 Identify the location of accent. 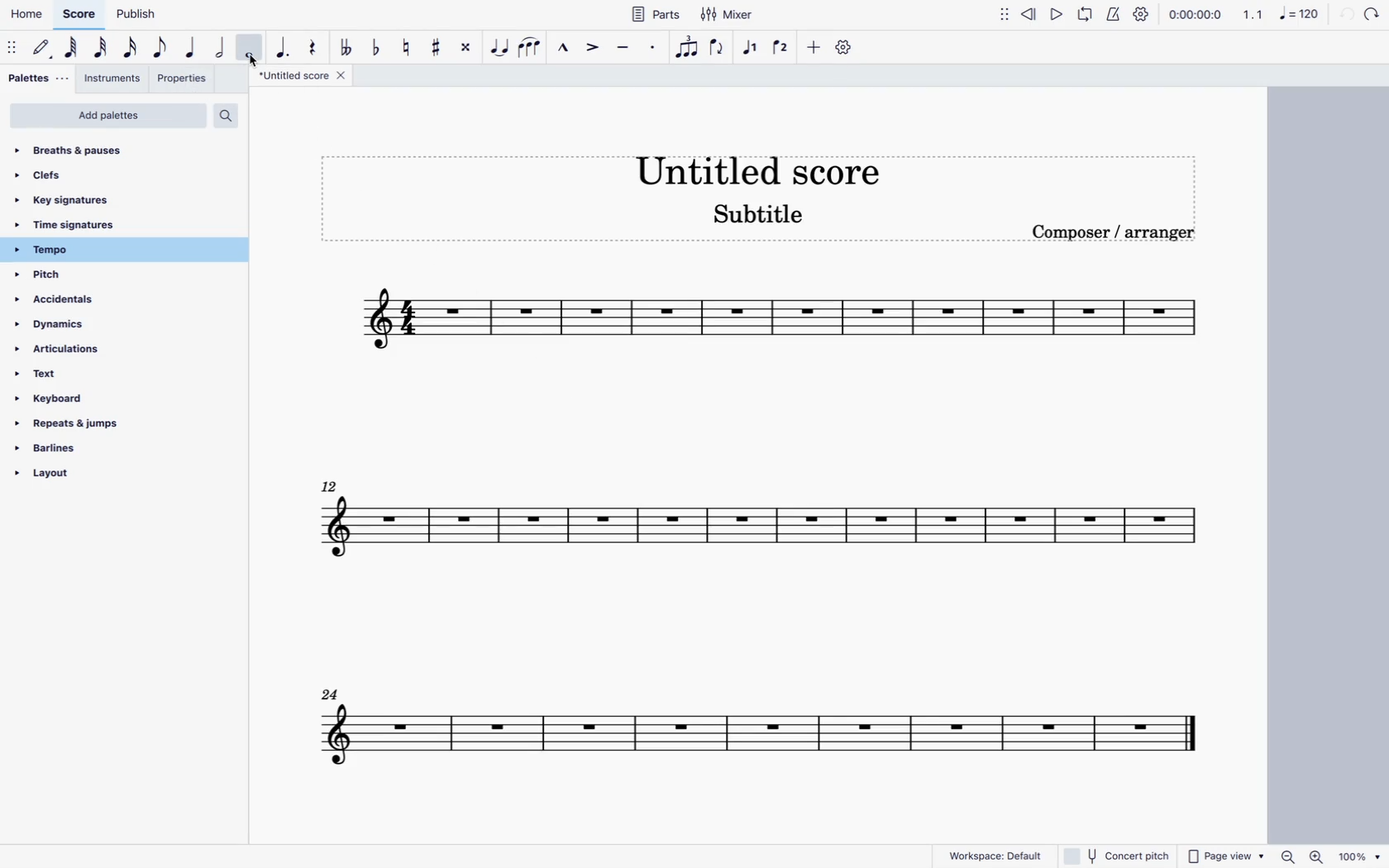
(592, 47).